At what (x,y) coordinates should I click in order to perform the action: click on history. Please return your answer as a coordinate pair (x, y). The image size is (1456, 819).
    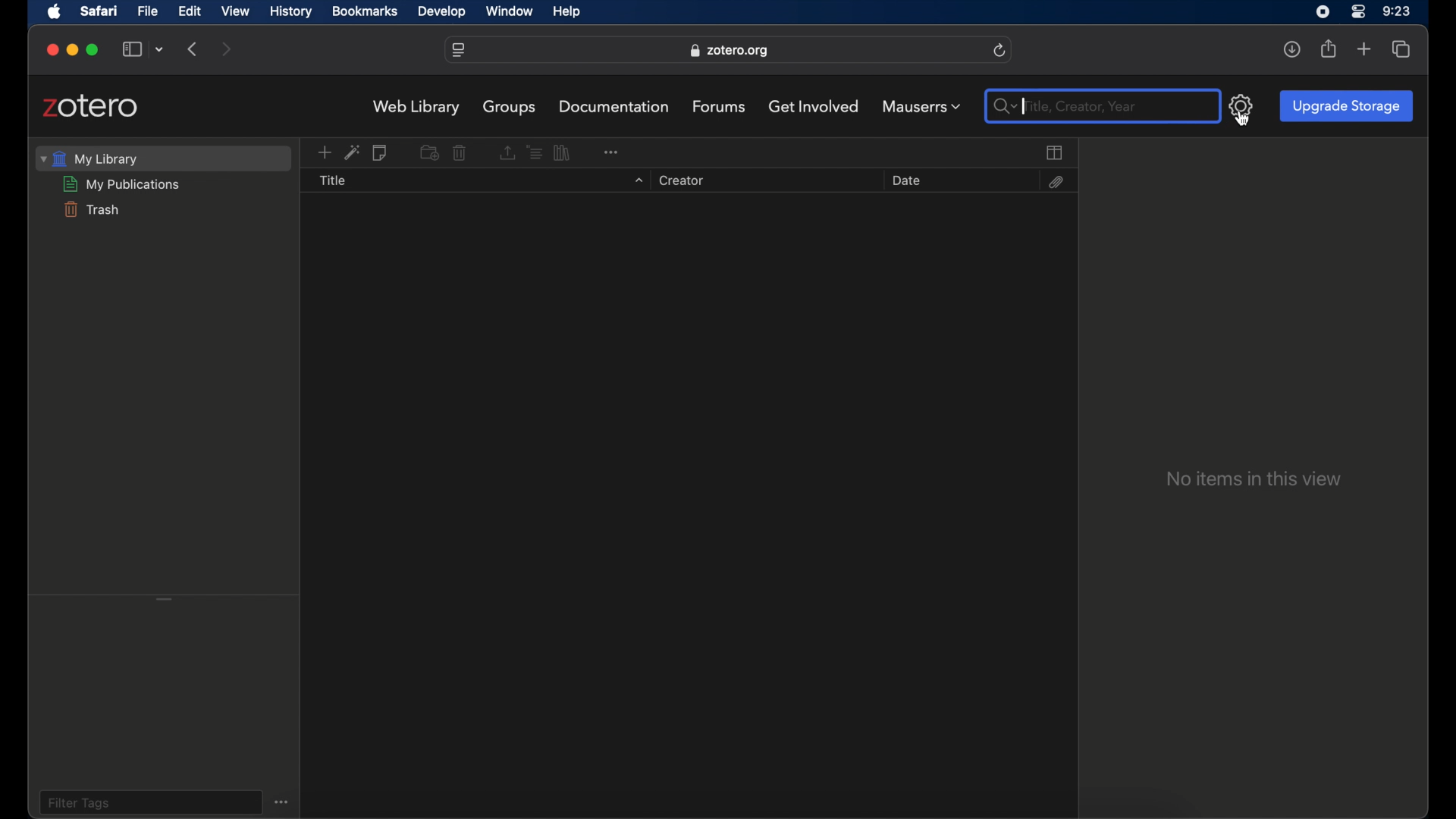
    Looking at the image, I should click on (291, 12).